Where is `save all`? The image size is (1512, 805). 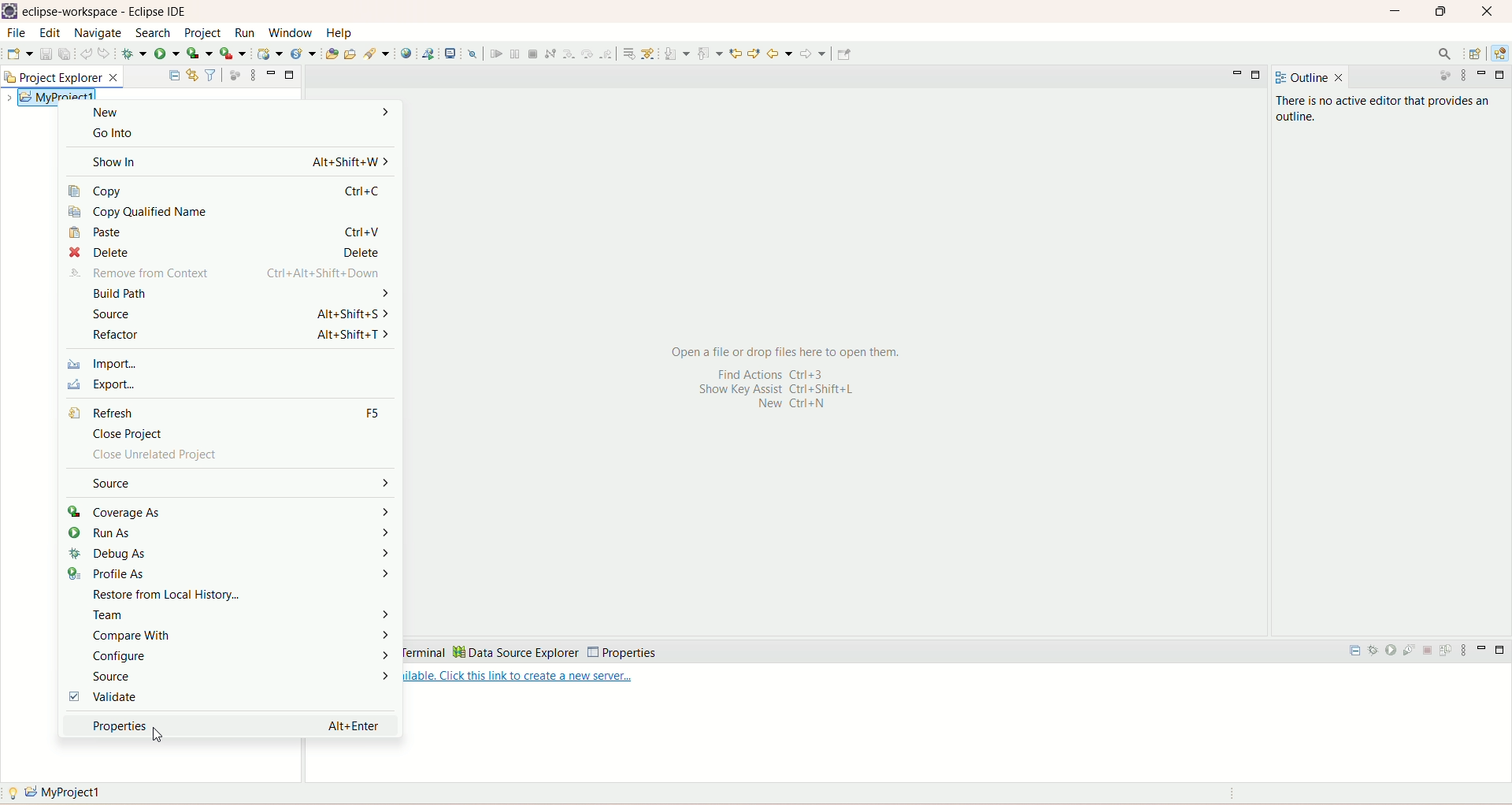 save all is located at coordinates (65, 55).